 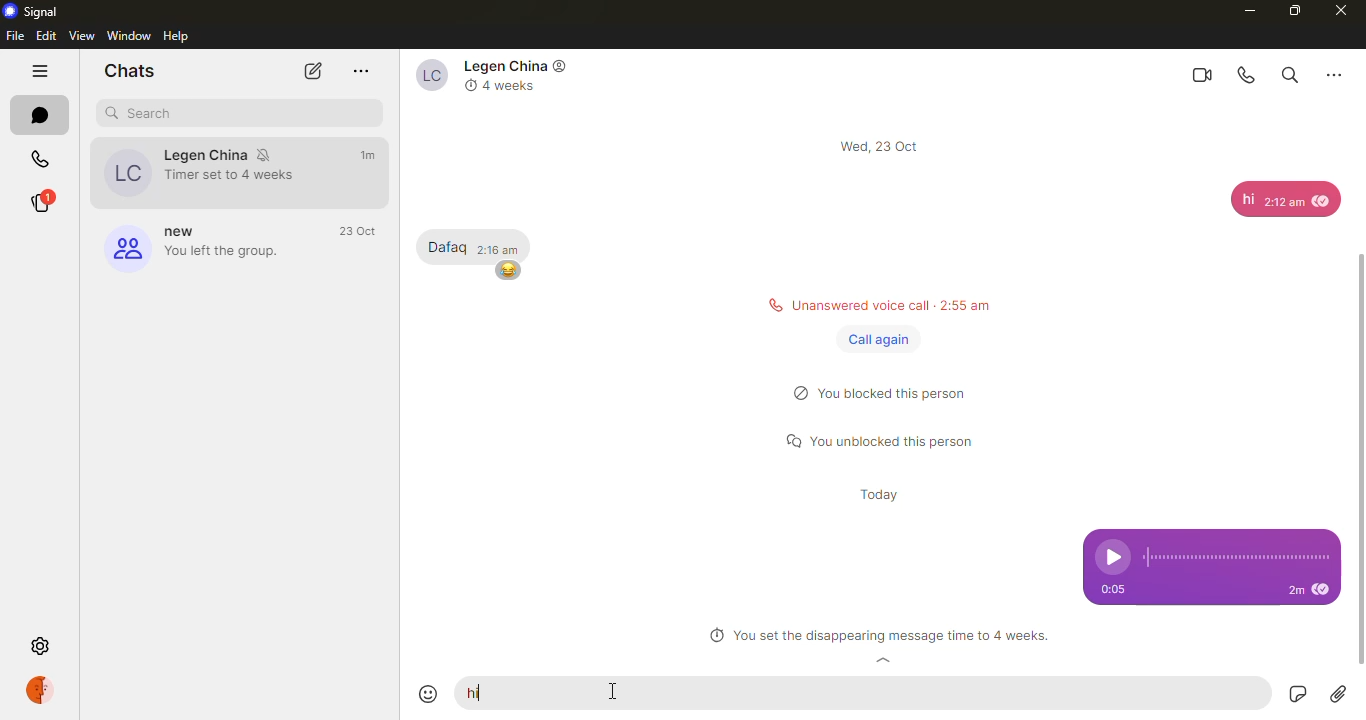 I want to click on more, so click(x=1334, y=73).